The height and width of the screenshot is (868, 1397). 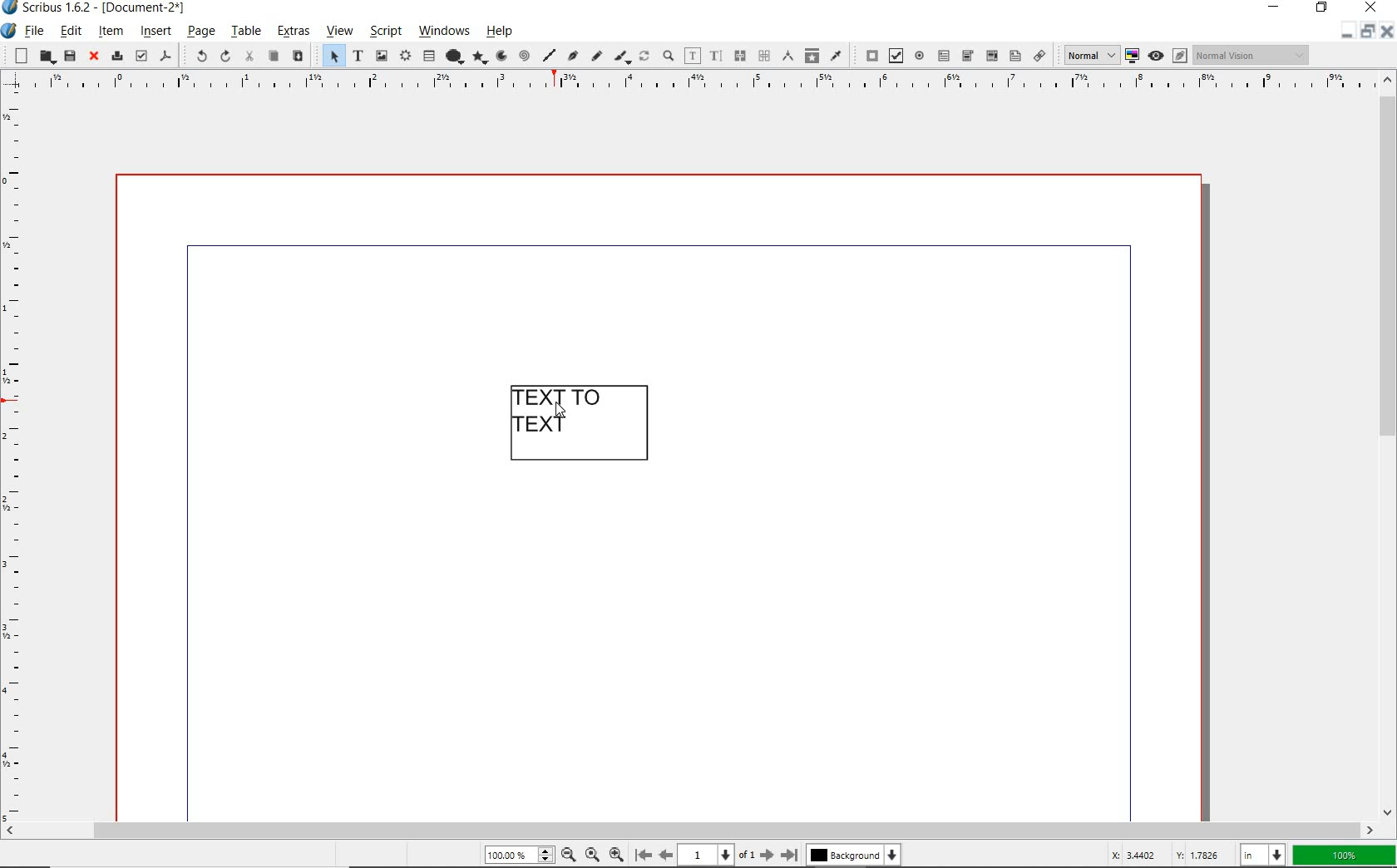 What do you see at coordinates (720, 855) in the screenshot?
I see `current page` at bounding box center [720, 855].